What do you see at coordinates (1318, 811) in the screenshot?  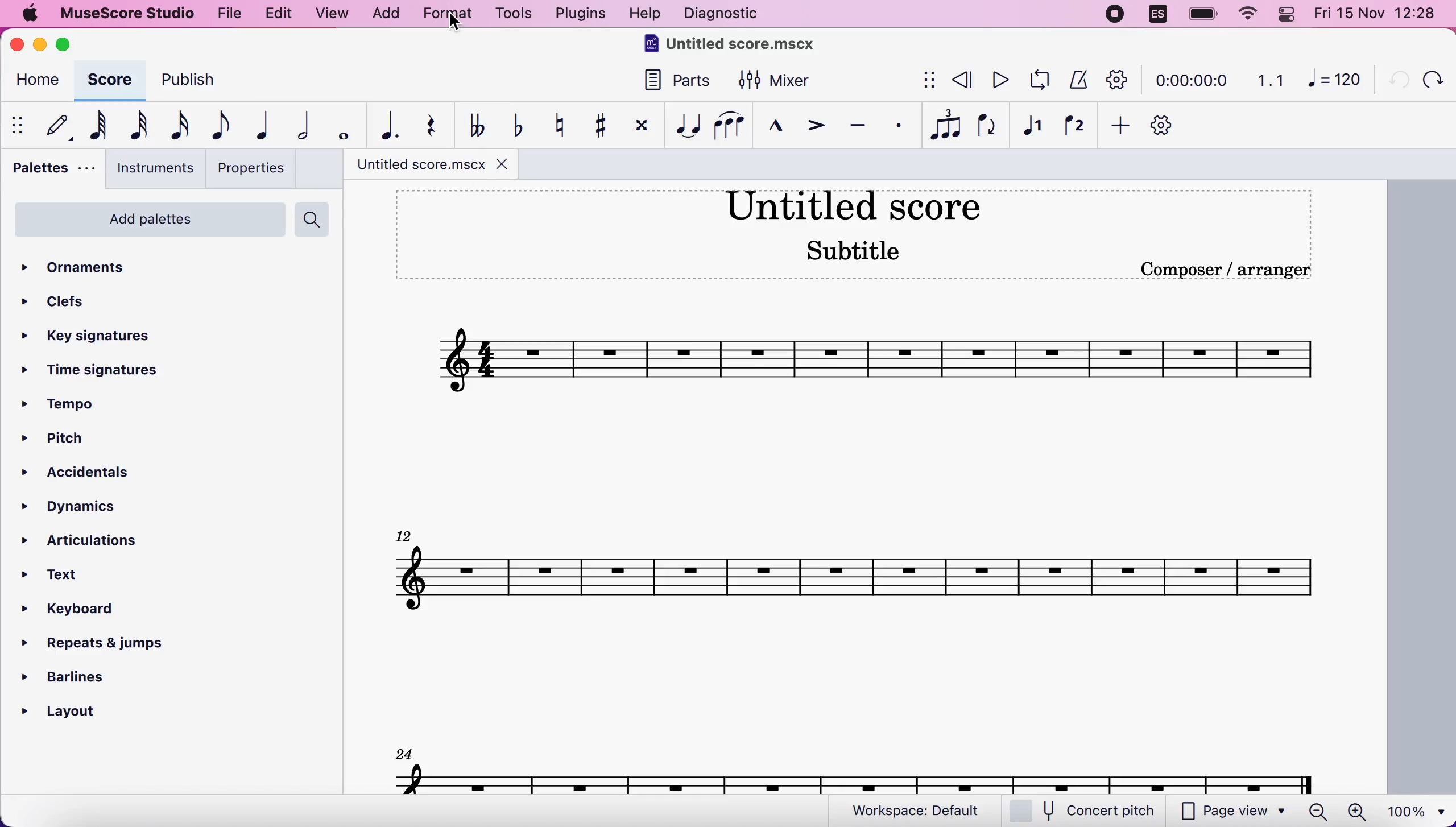 I see `zoom out` at bounding box center [1318, 811].